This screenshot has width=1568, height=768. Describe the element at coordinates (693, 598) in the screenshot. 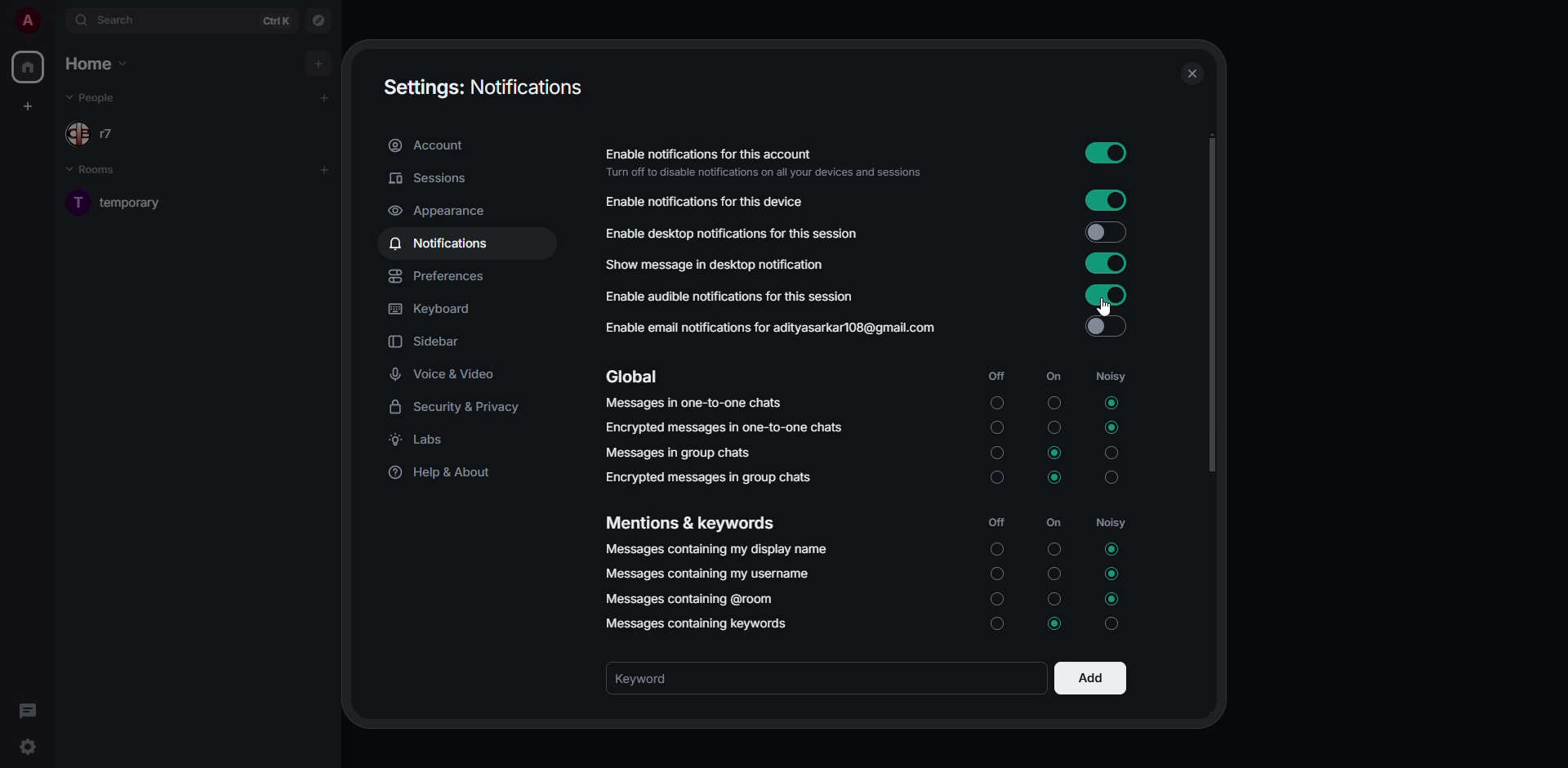

I see `messages containing @room` at that location.